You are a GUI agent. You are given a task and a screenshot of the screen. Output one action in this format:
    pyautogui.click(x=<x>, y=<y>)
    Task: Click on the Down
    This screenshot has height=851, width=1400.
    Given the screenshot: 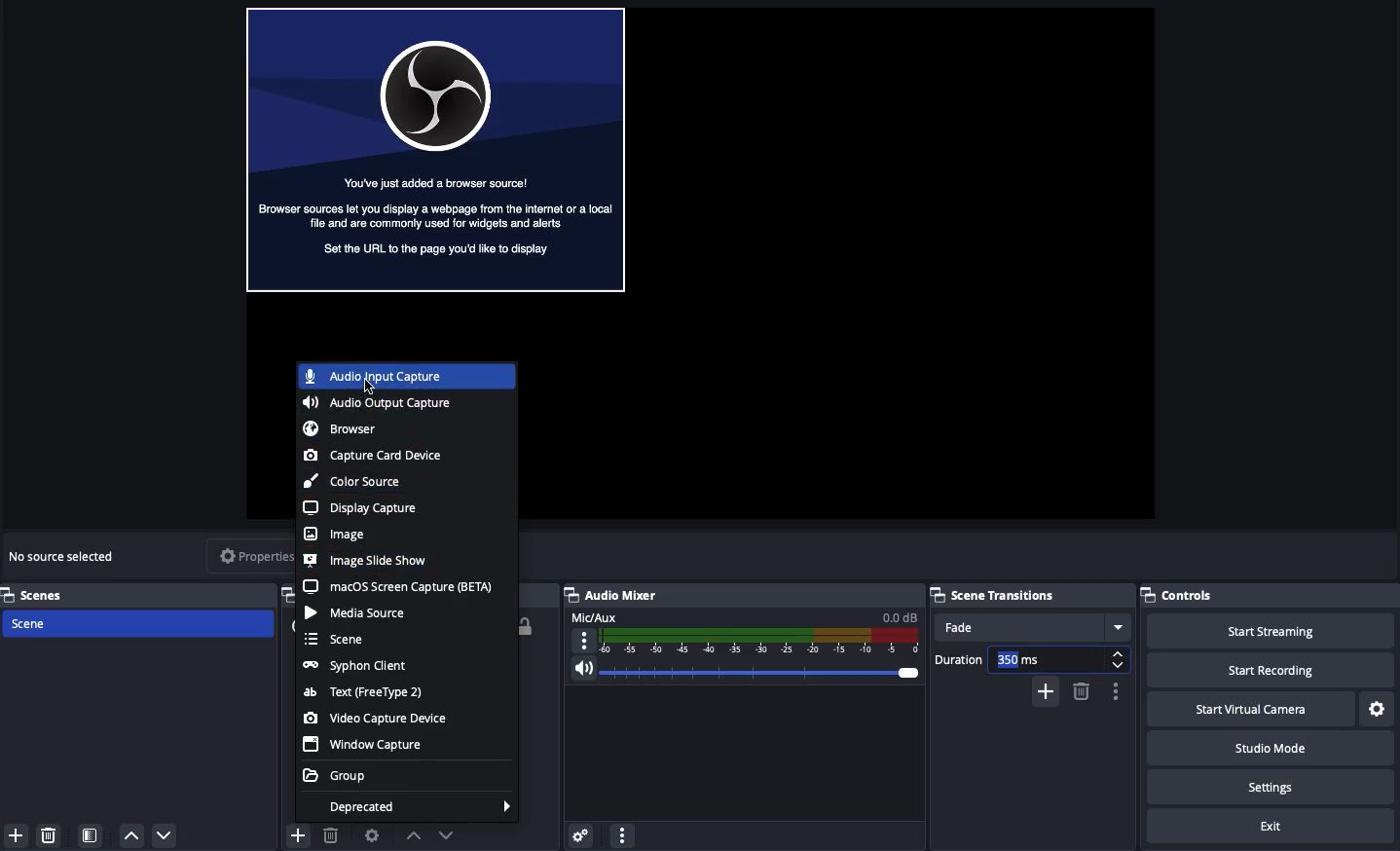 What is the action you would take?
    pyautogui.click(x=166, y=834)
    